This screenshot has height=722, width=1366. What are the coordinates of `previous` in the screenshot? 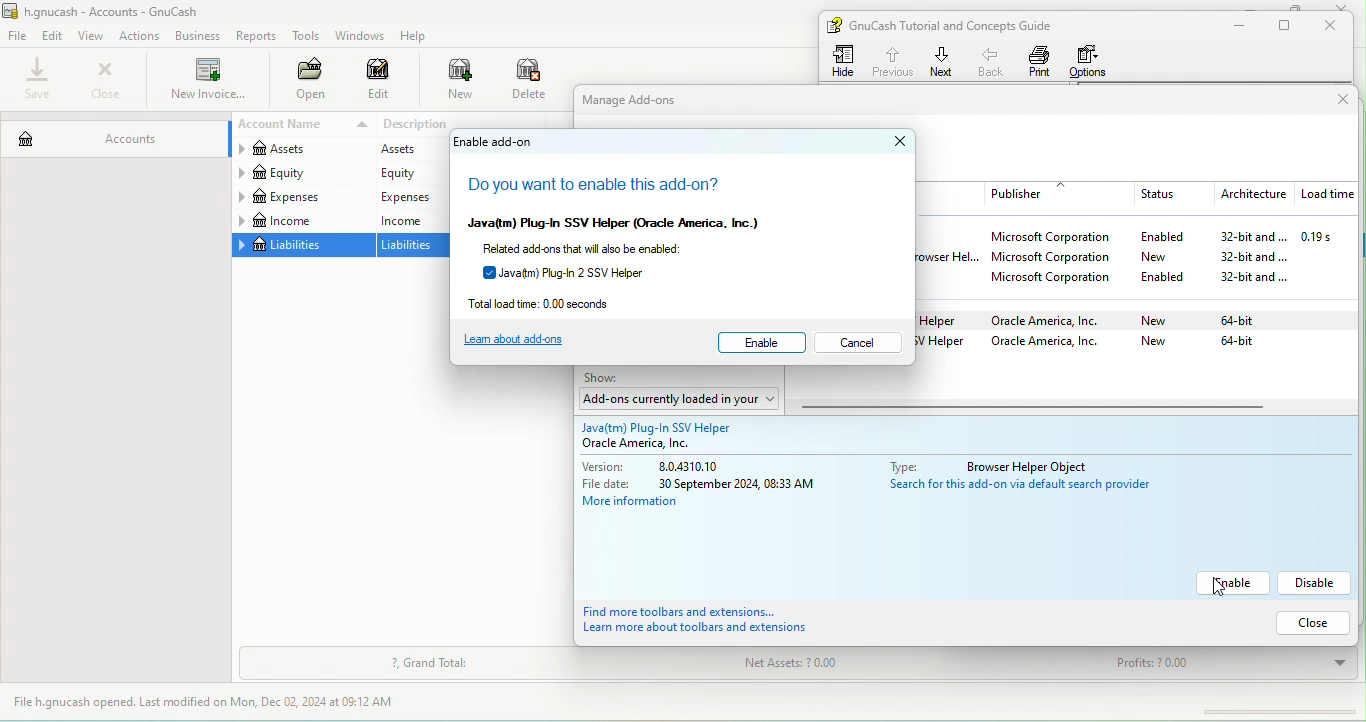 It's located at (891, 59).